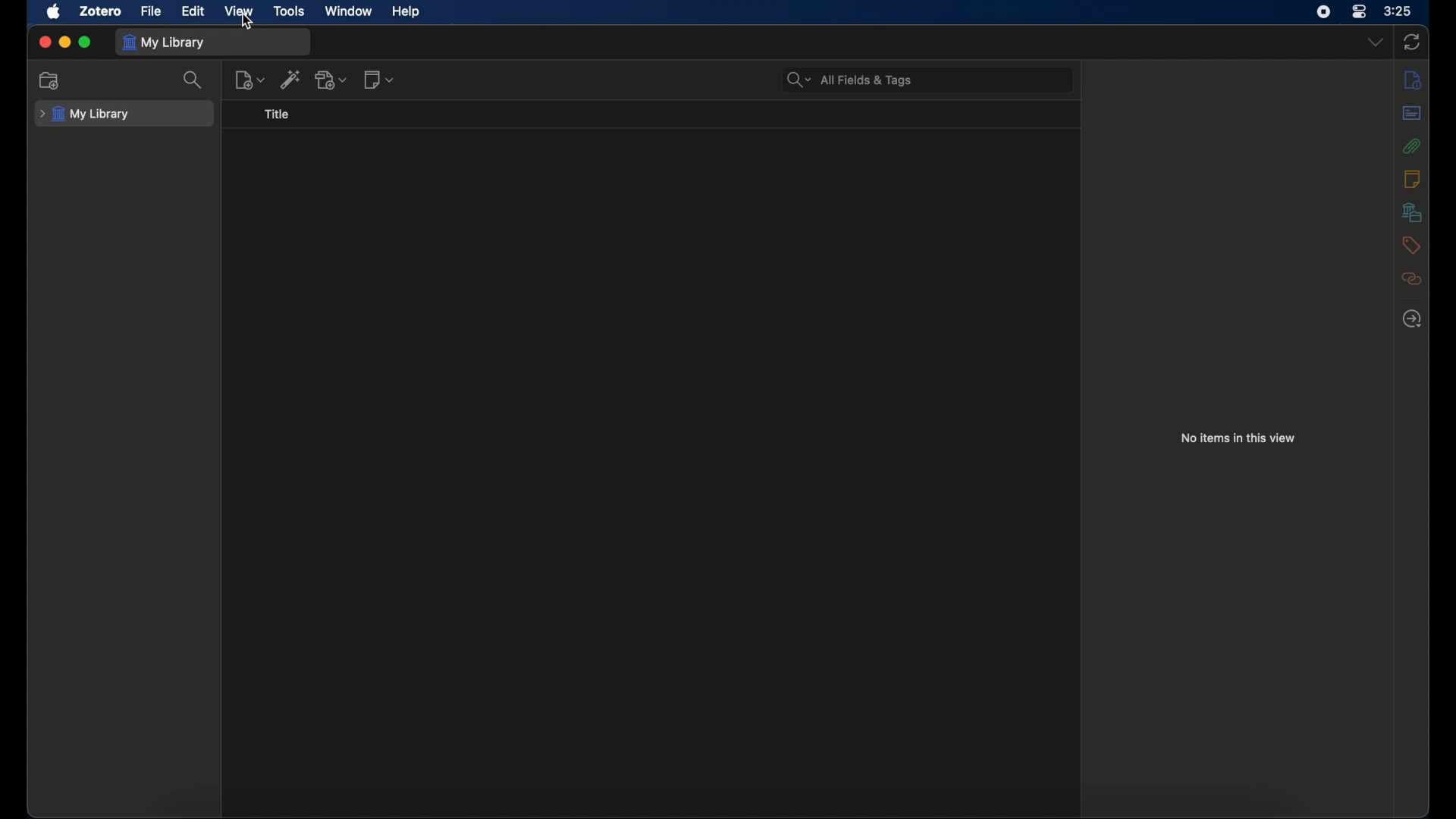 Image resolution: width=1456 pixels, height=819 pixels. What do you see at coordinates (1411, 245) in the screenshot?
I see `tags` at bounding box center [1411, 245].